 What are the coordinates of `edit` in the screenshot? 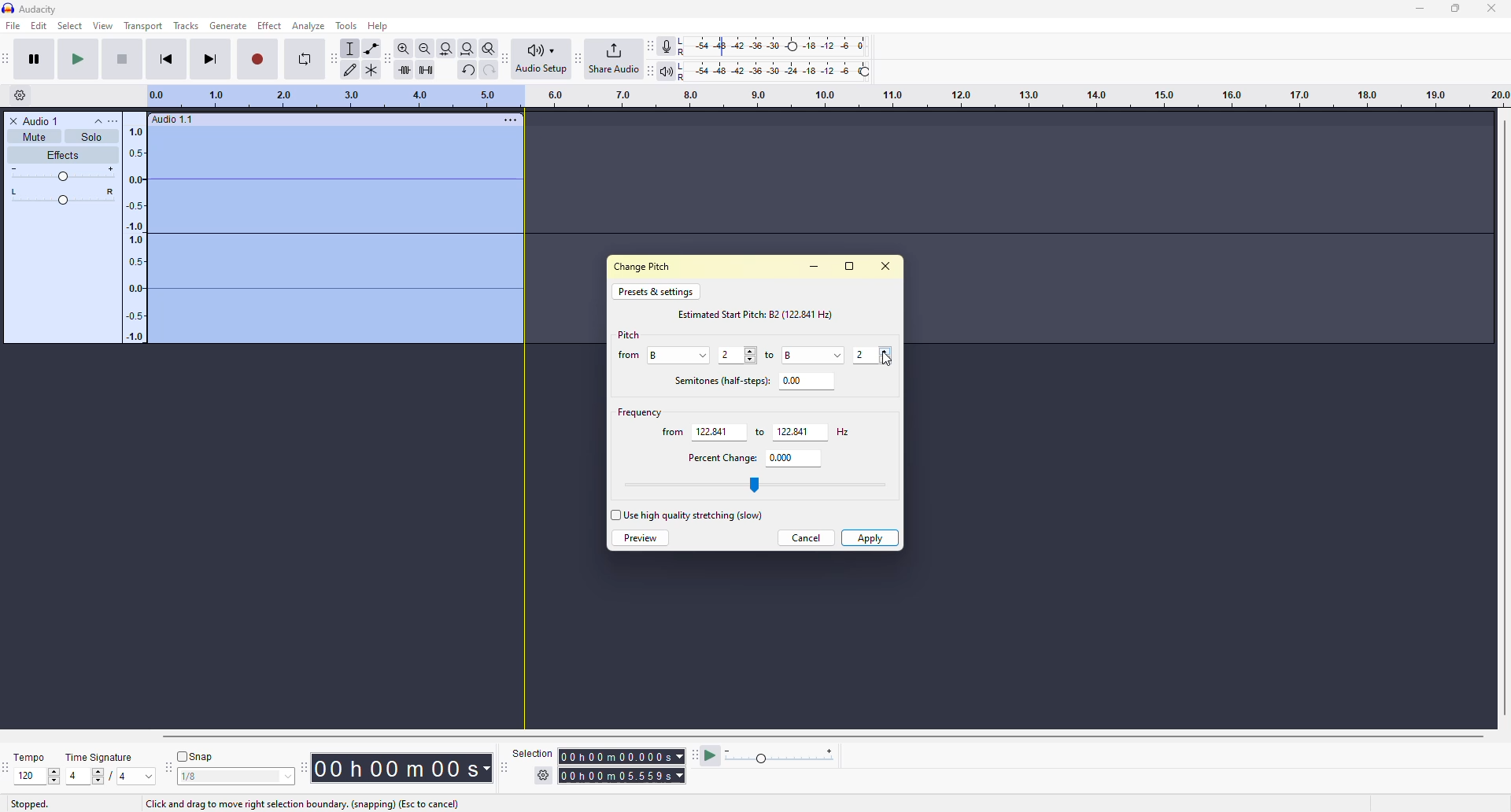 It's located at (39, 26).